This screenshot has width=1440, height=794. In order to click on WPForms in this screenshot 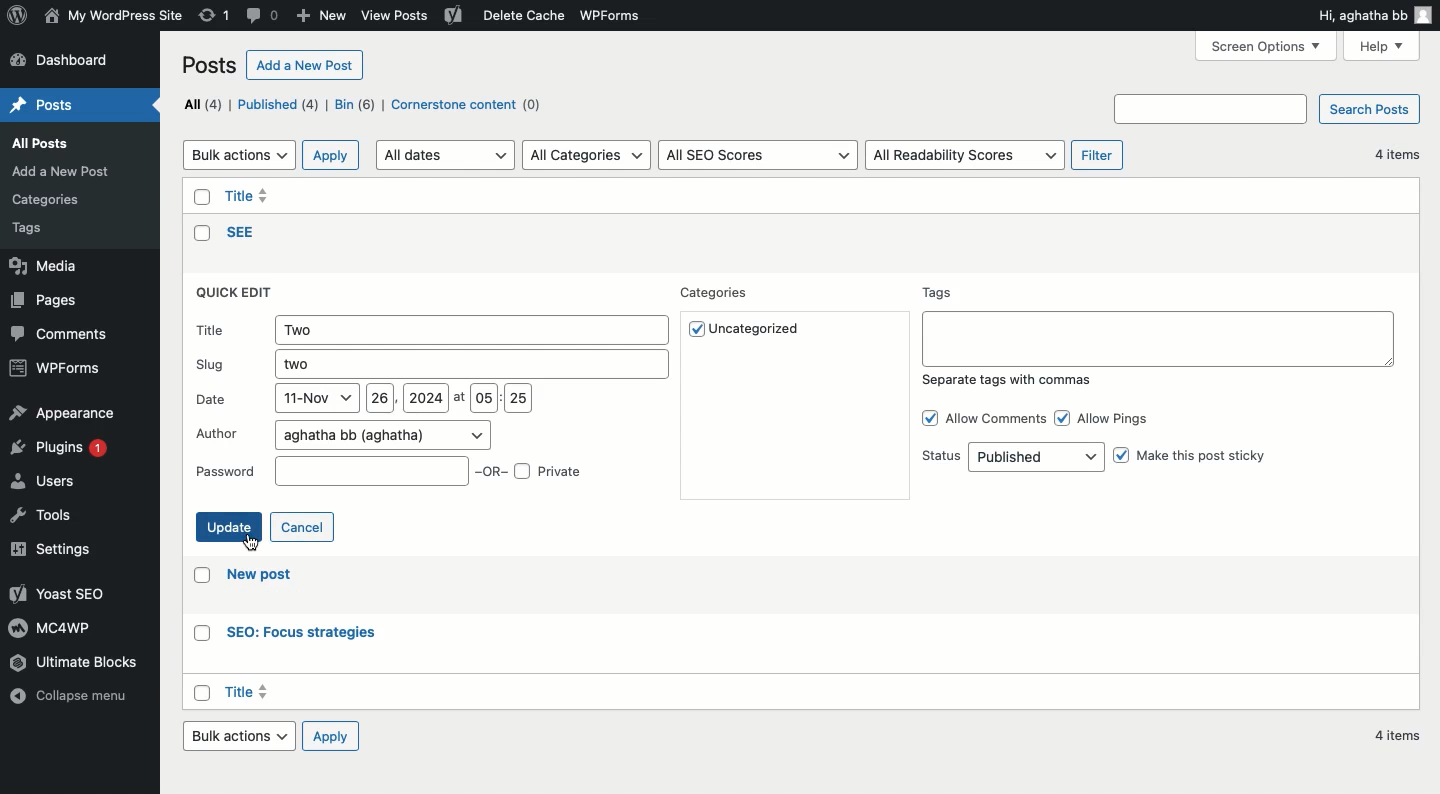, I will do `click(620, 14)`.